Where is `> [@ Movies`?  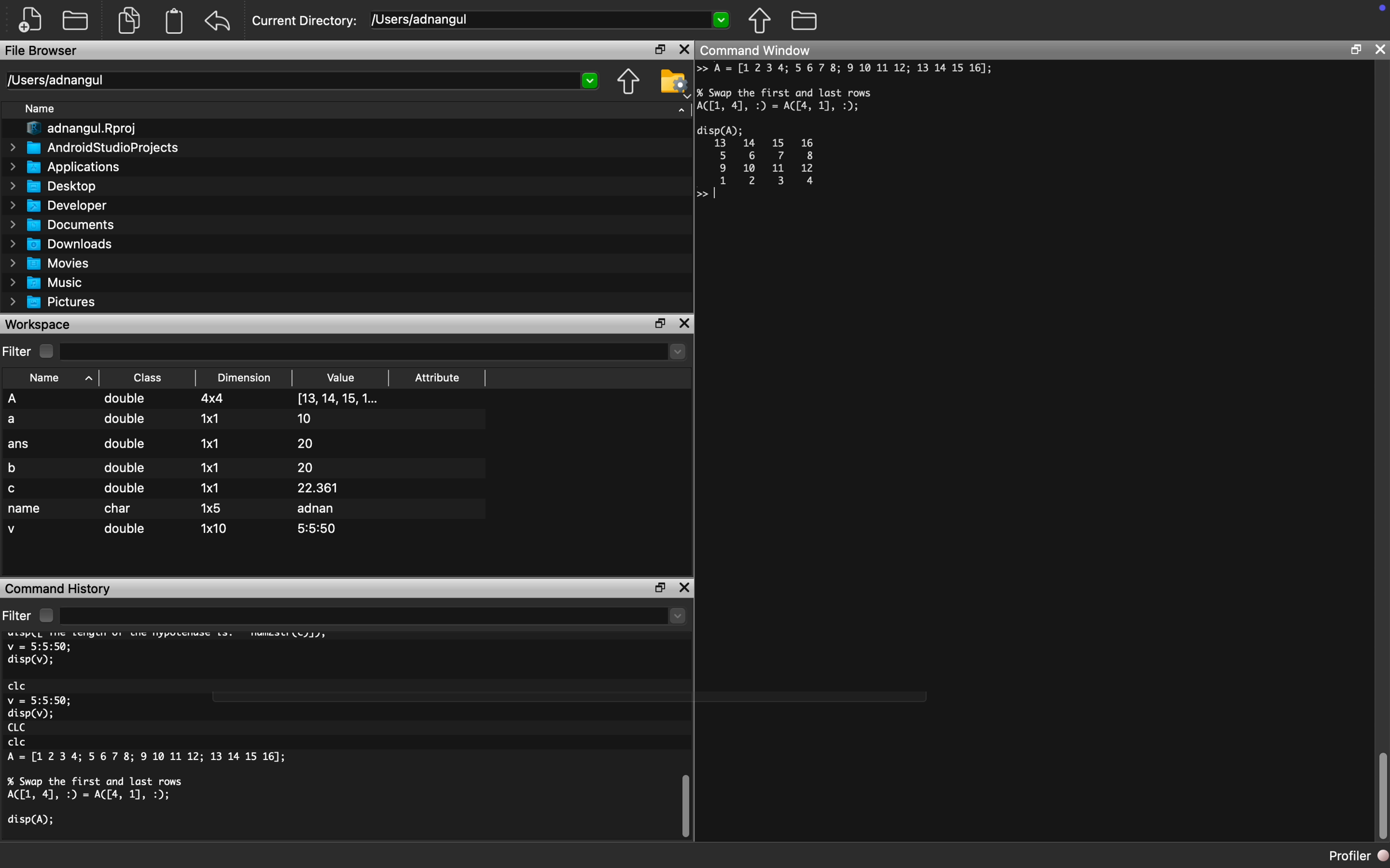
> [@ Movies is located at coordinates (50, 264).